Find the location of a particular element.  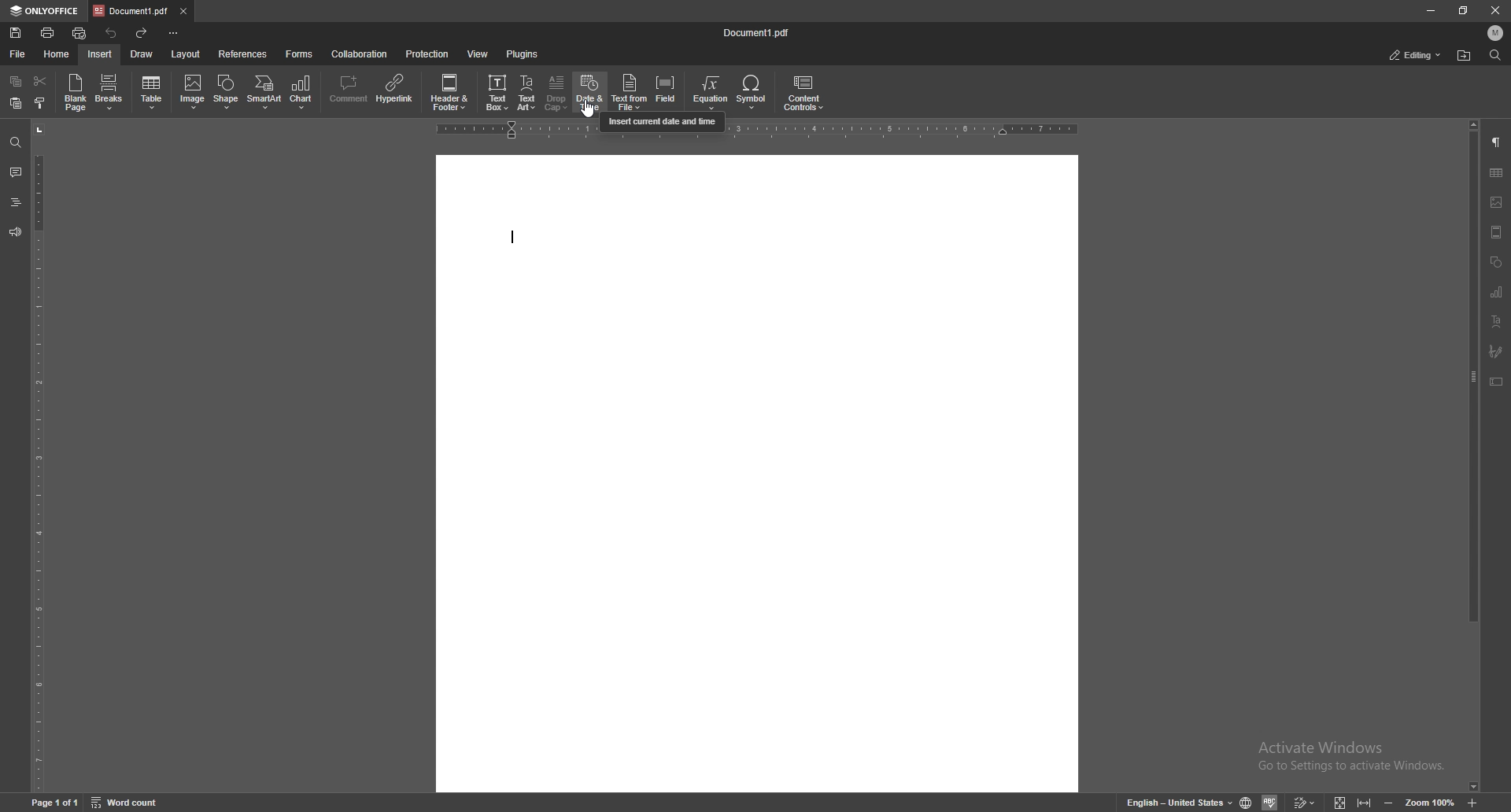

layout is located at coordinates (187, 55).